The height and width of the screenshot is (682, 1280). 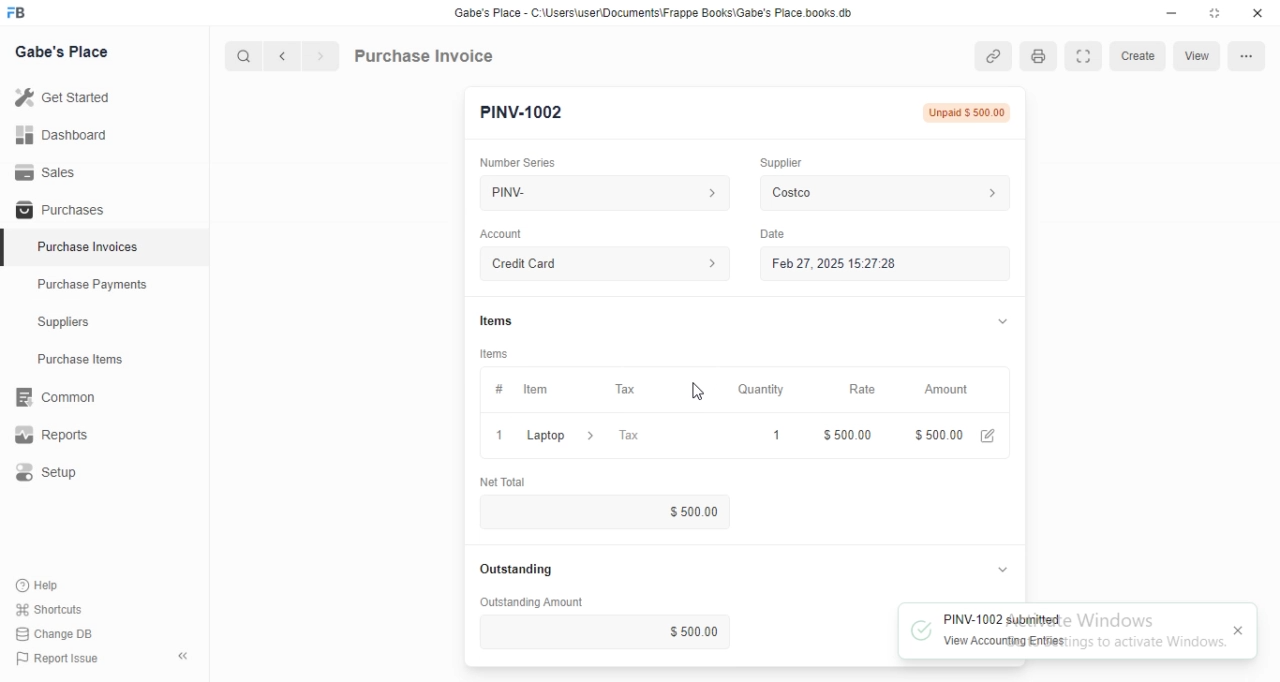 What do you see at coordinates (1215, 13) in the screenshot?
I see `Change dimension` at bounding box center [1215, 13].